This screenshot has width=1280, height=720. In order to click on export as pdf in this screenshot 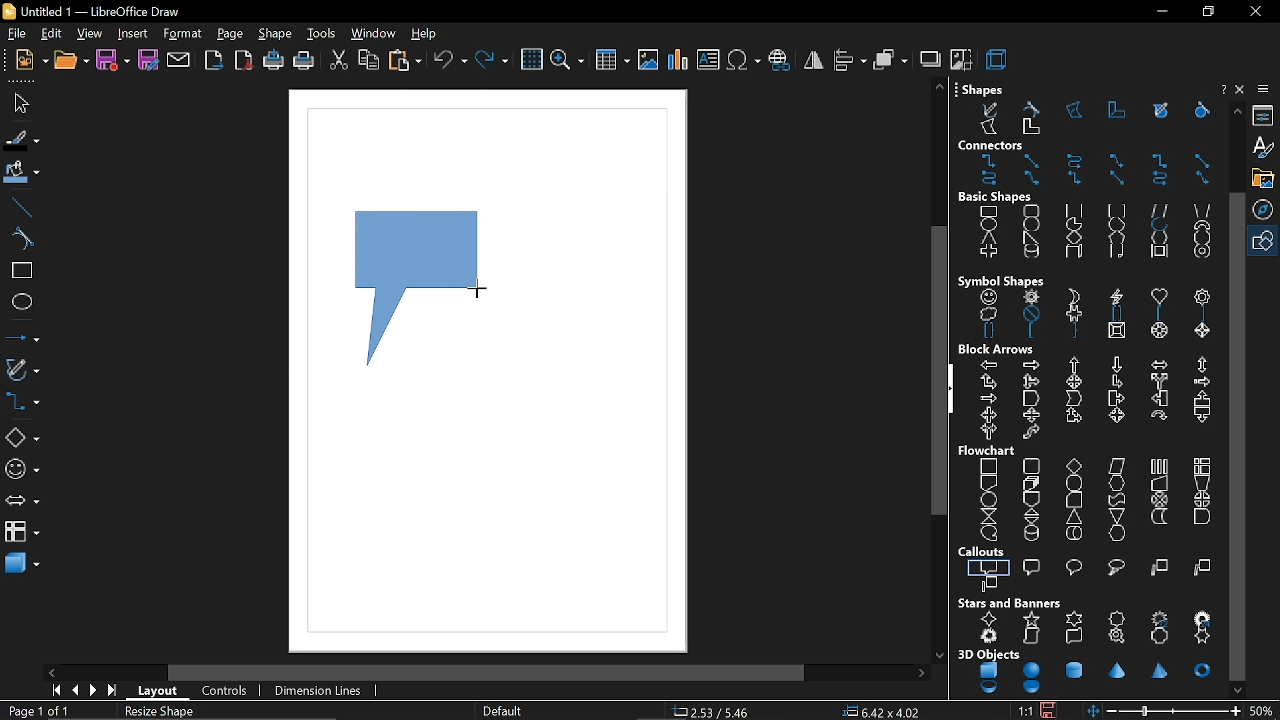, I will do `click(245, 61)`.